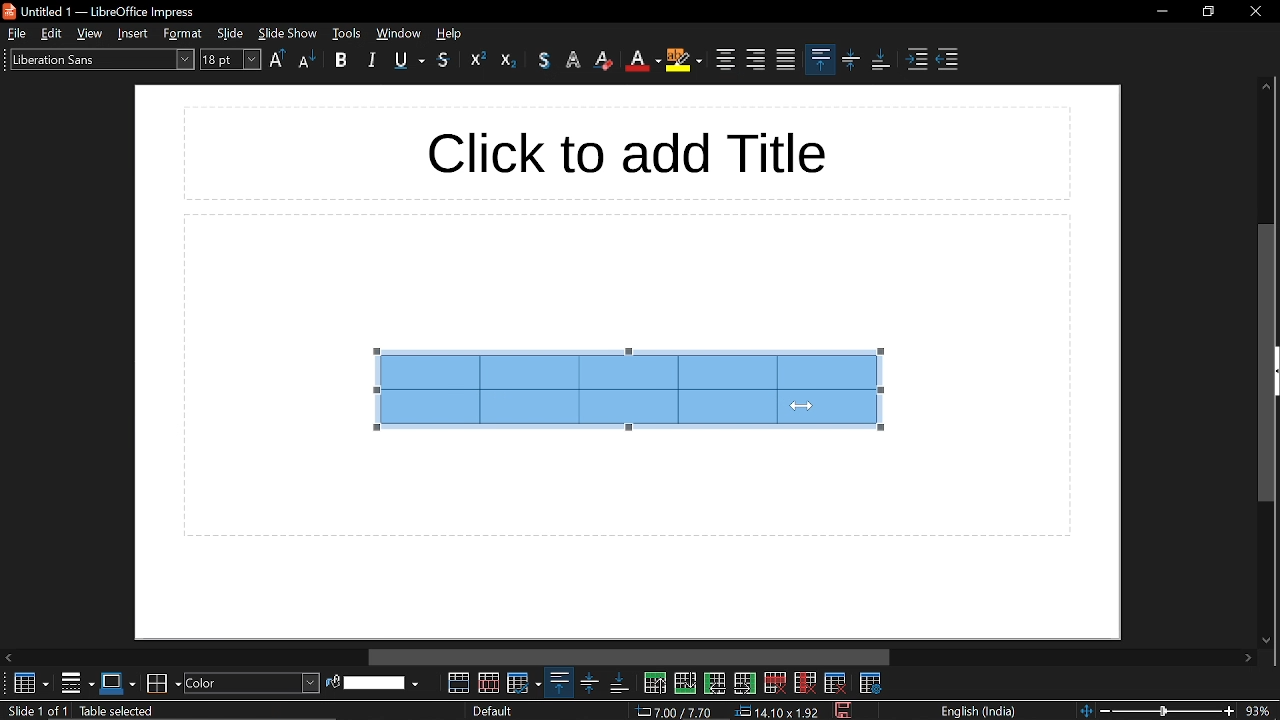  What do you see at coordinates (341, 59) in the screenshot?
I see `bold` at bounding box center [341, 59].